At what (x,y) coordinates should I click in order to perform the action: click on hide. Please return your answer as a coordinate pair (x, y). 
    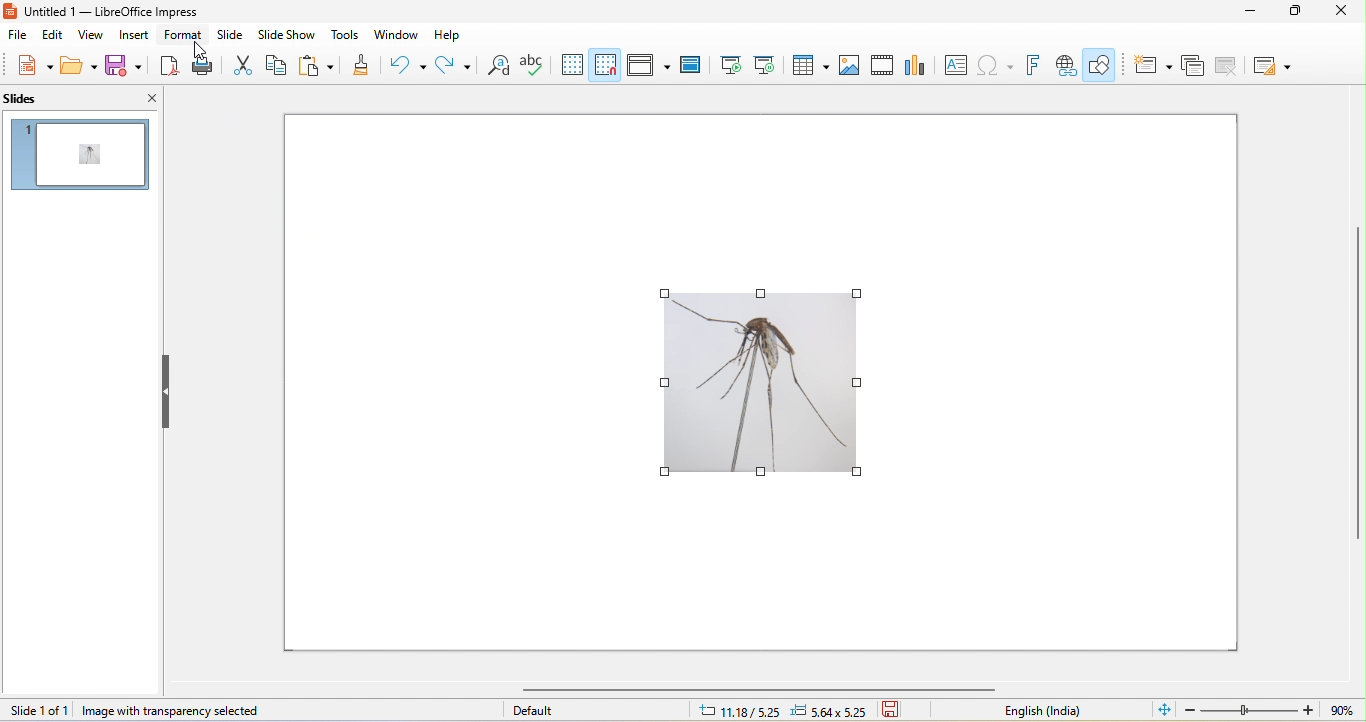
    Looking at the image, I should click on (163, 393).